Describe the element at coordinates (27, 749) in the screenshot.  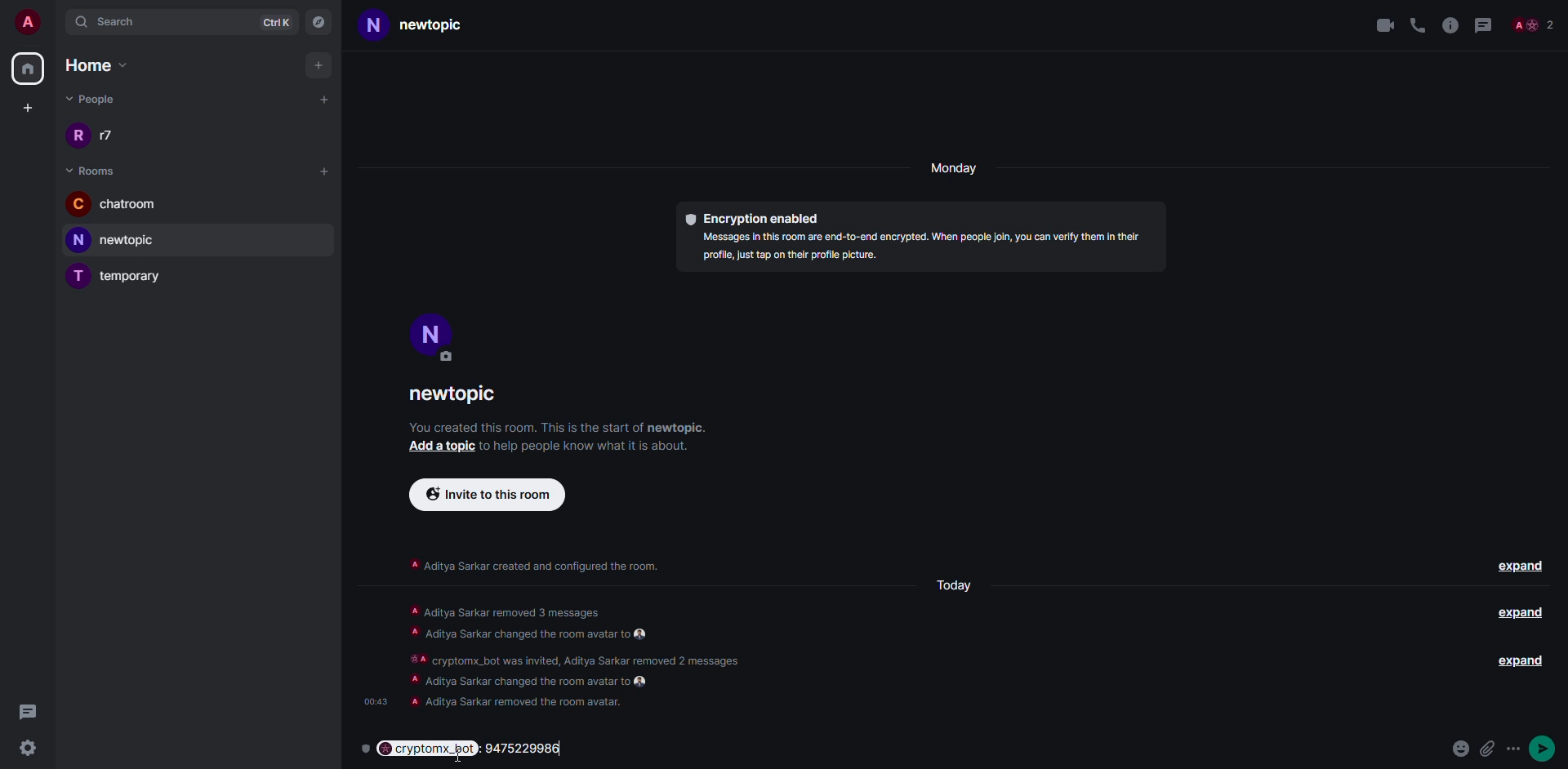
I see `settings` at that location.